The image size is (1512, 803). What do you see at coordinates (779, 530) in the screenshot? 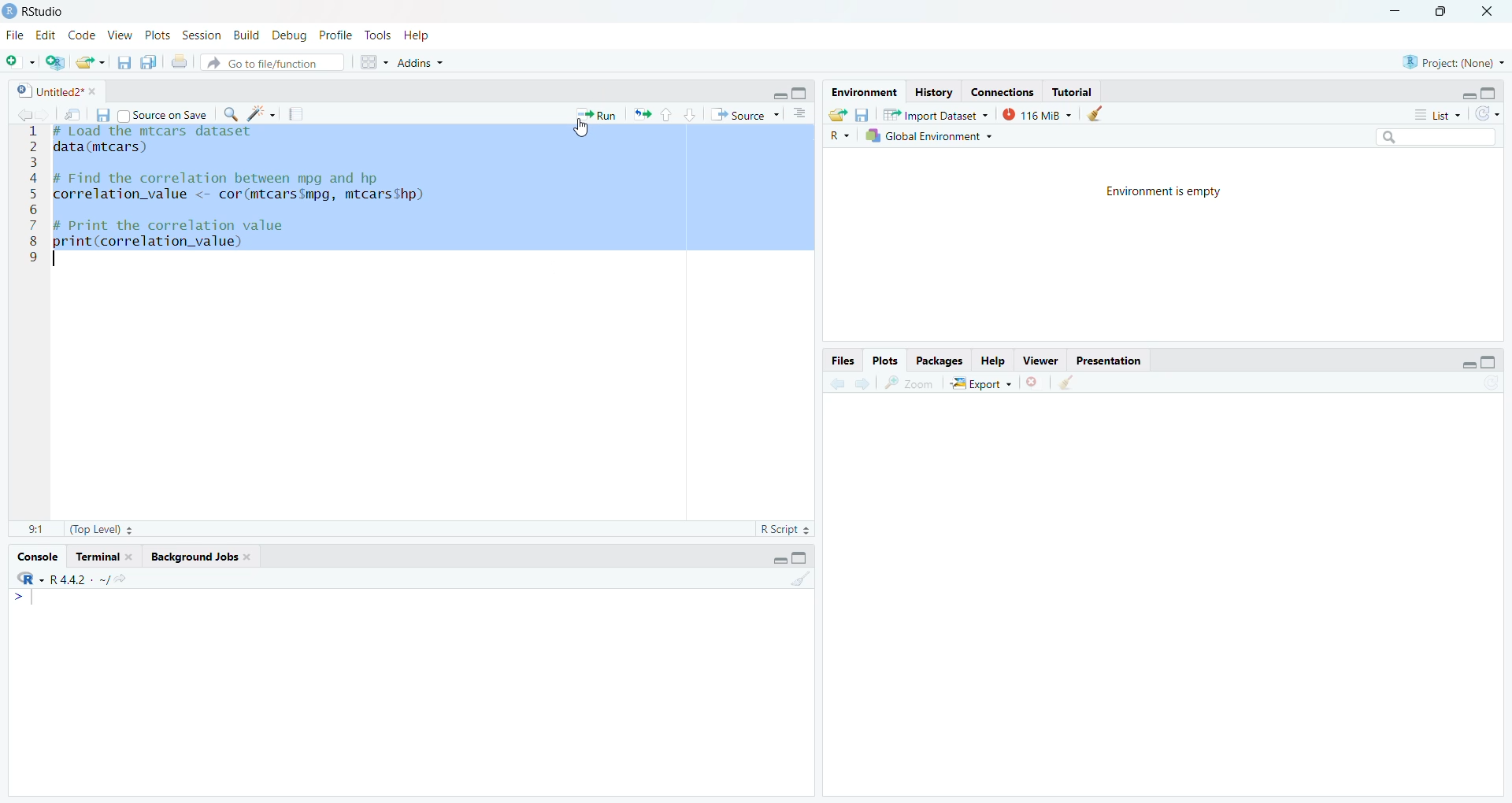
I see `R Script` at bounding box center [779, 530].